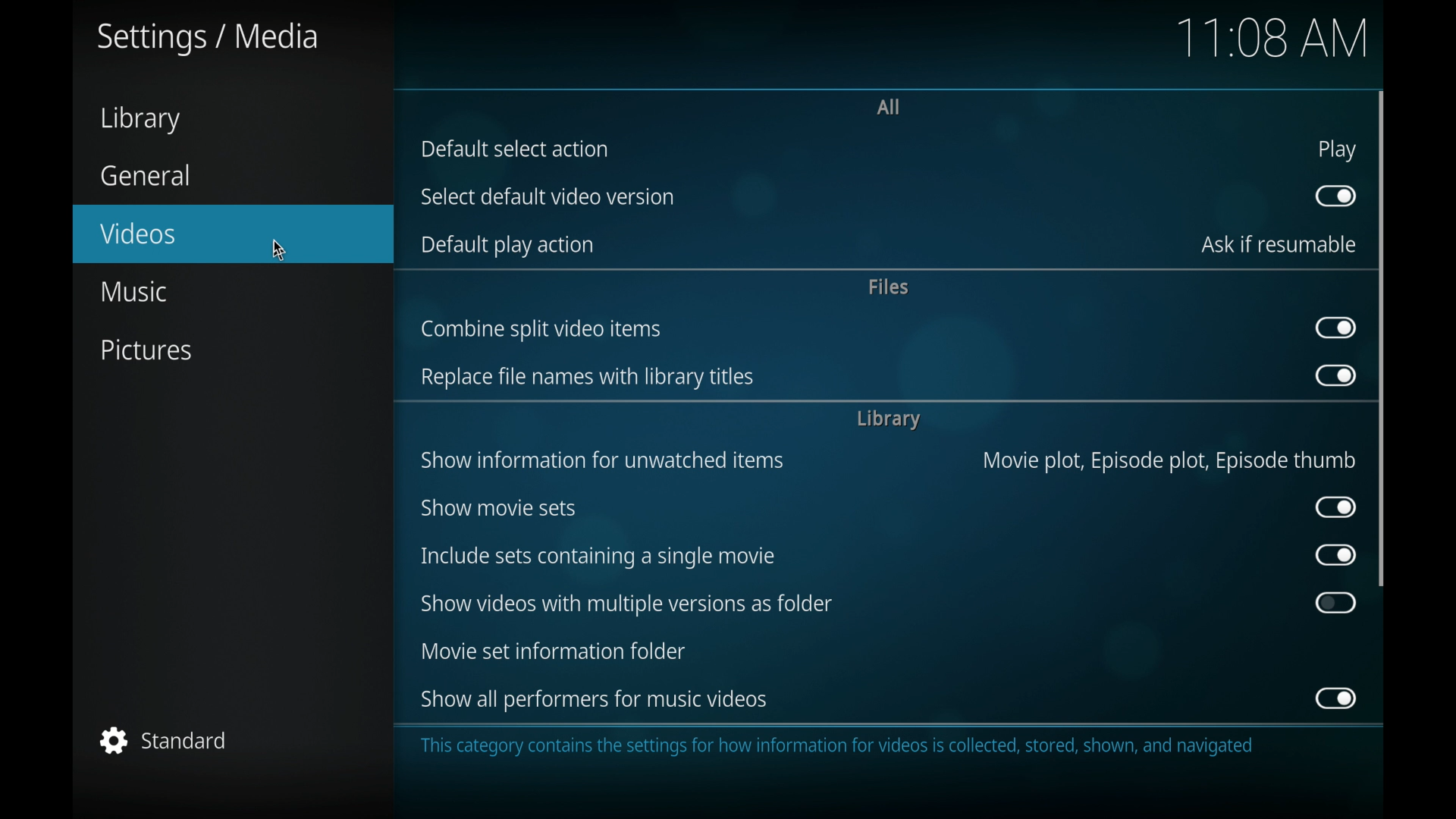 The width and height of the screenshot is (1456, 819). I want to click on all, so click(890, 106).